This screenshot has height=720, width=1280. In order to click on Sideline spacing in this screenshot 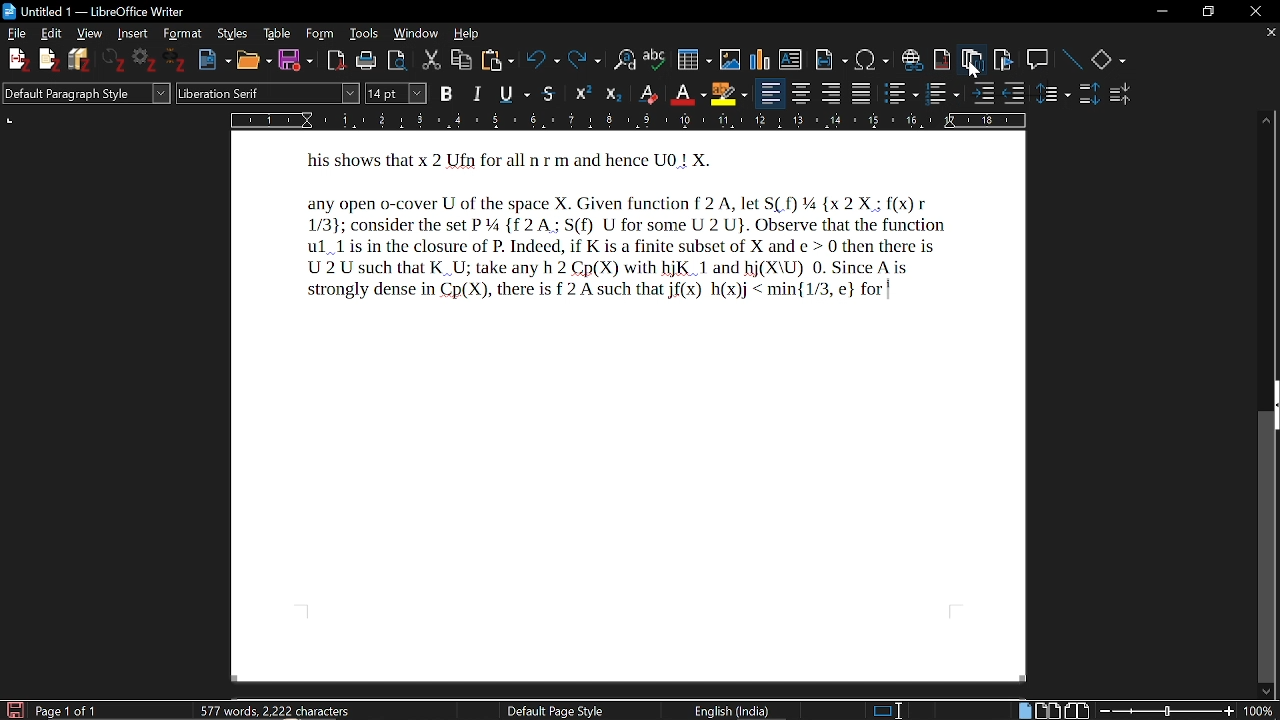, I will do `click(1054, 95)`.